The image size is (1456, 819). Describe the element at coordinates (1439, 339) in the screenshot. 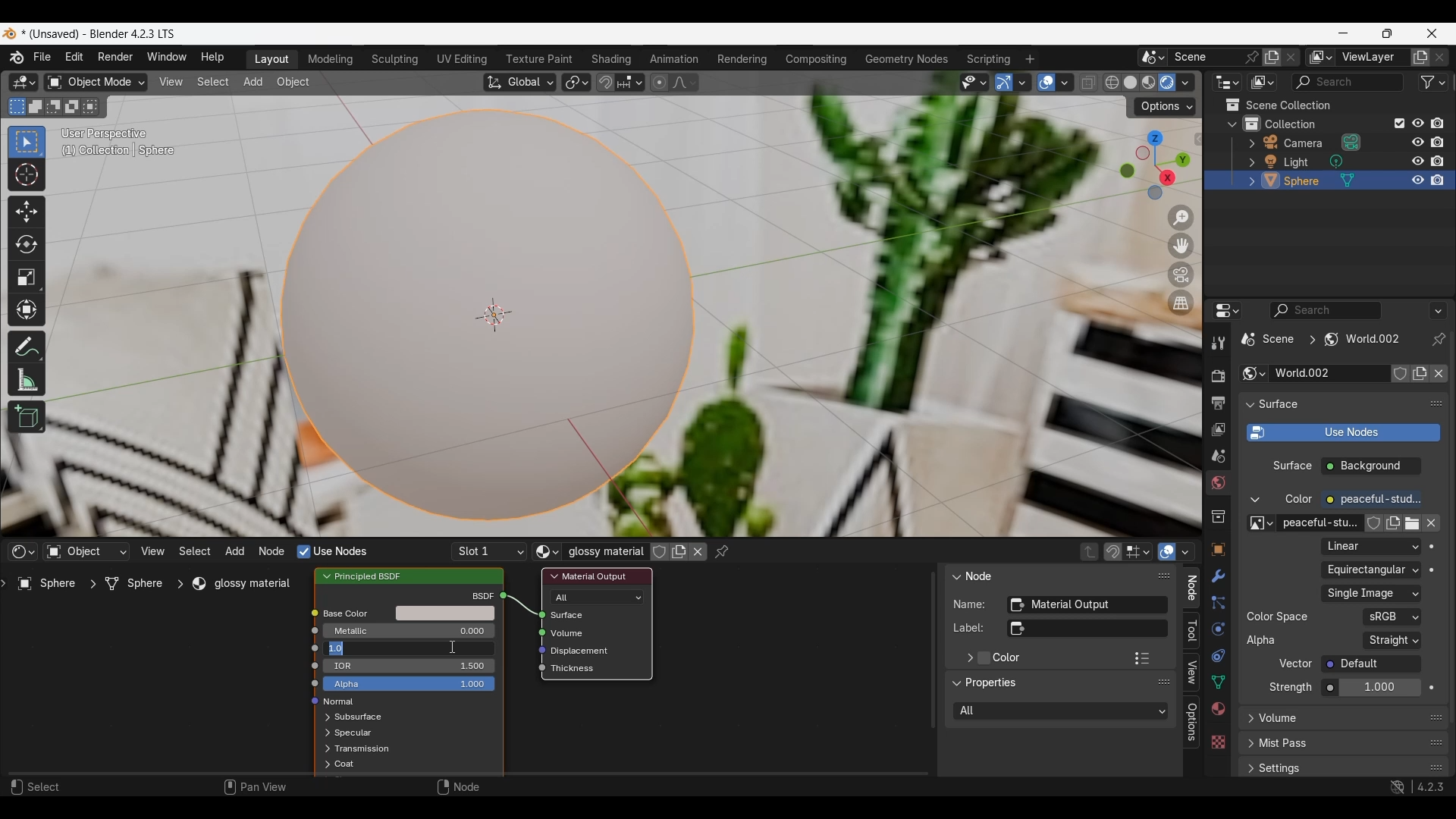

I see `Toggle pin id` at that location.